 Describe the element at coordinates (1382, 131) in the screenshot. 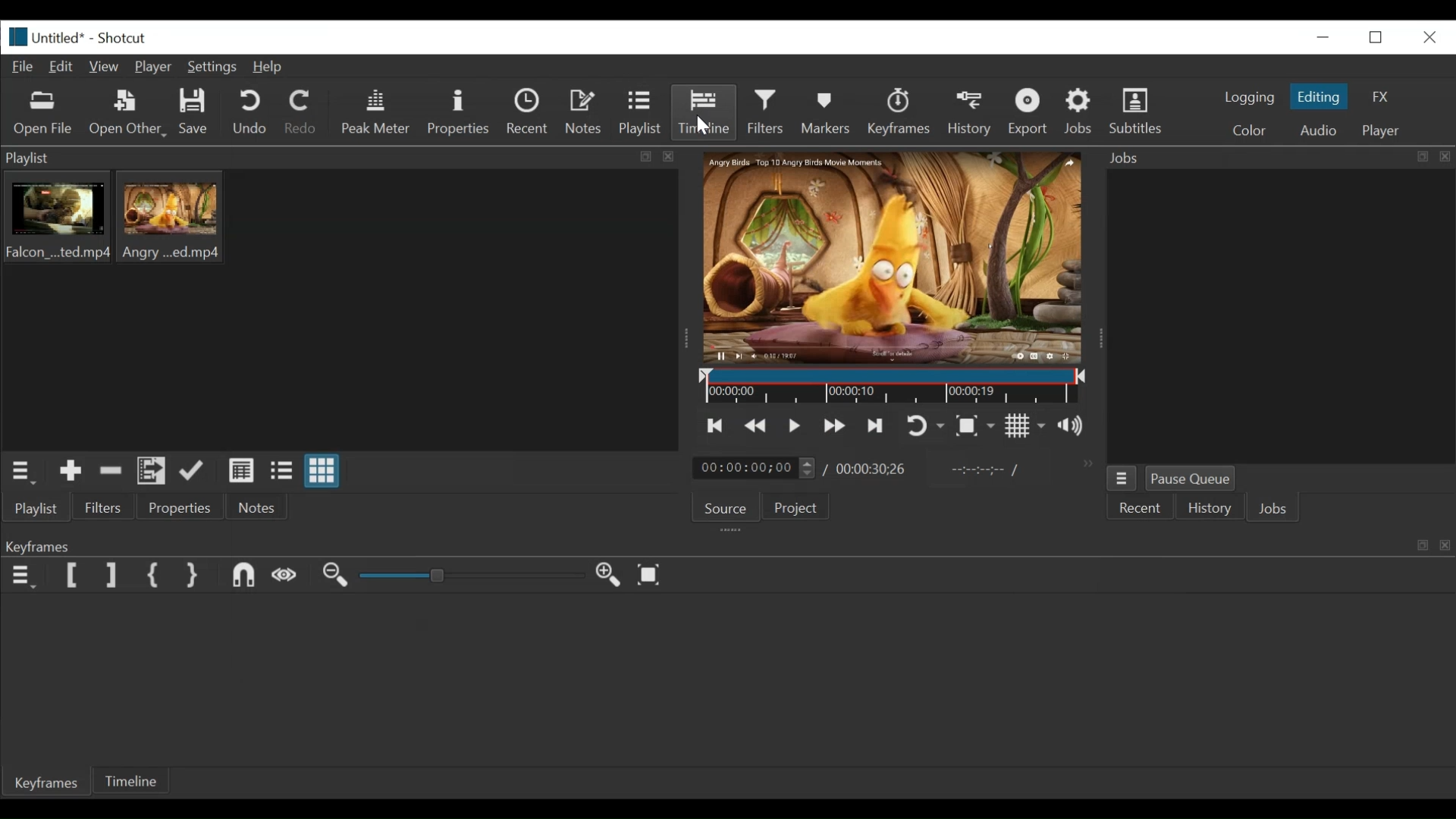

I see `player` at that location.